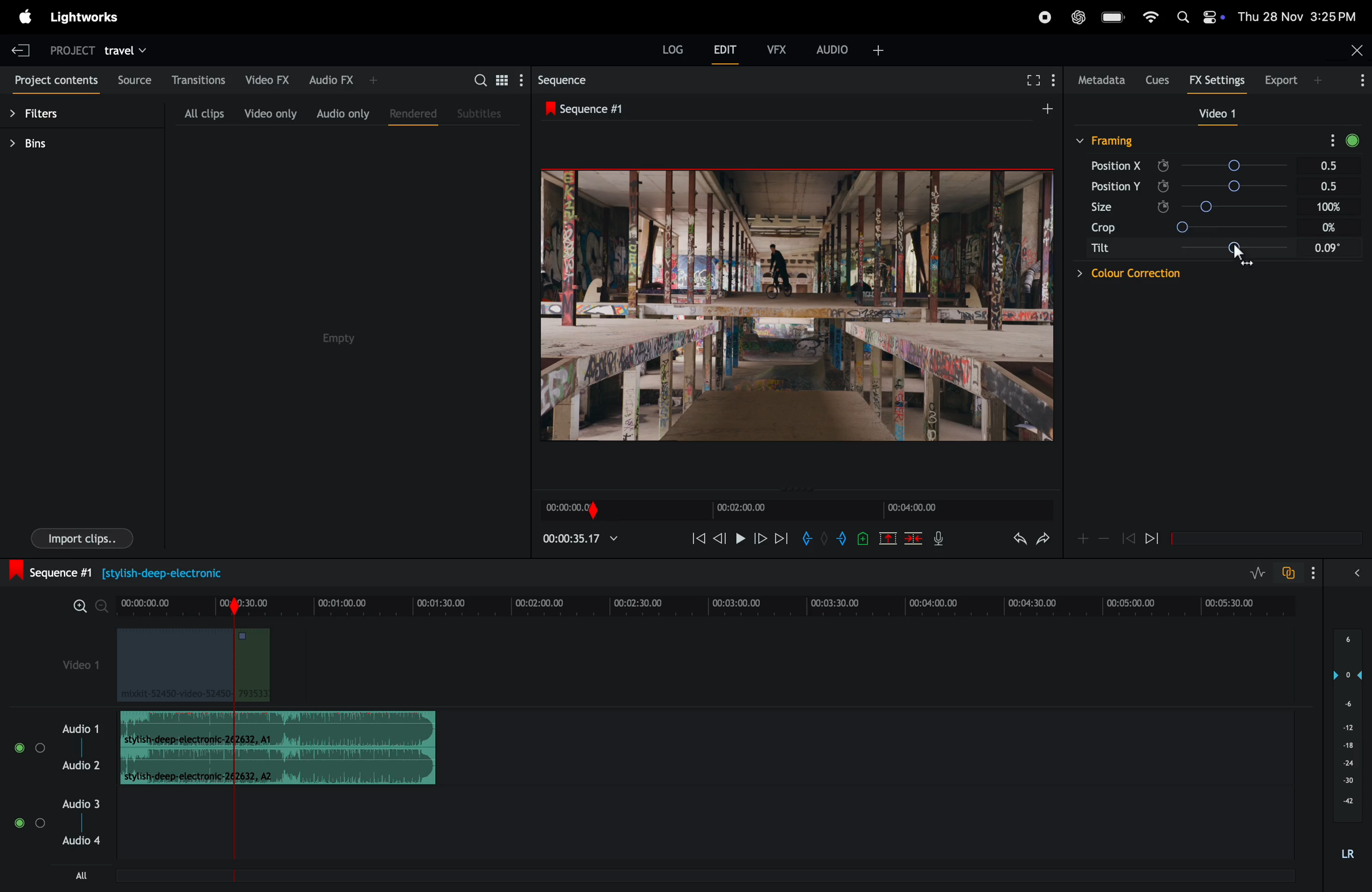  I want to click on Enable/Disable keyframe, so click(1161, 206).